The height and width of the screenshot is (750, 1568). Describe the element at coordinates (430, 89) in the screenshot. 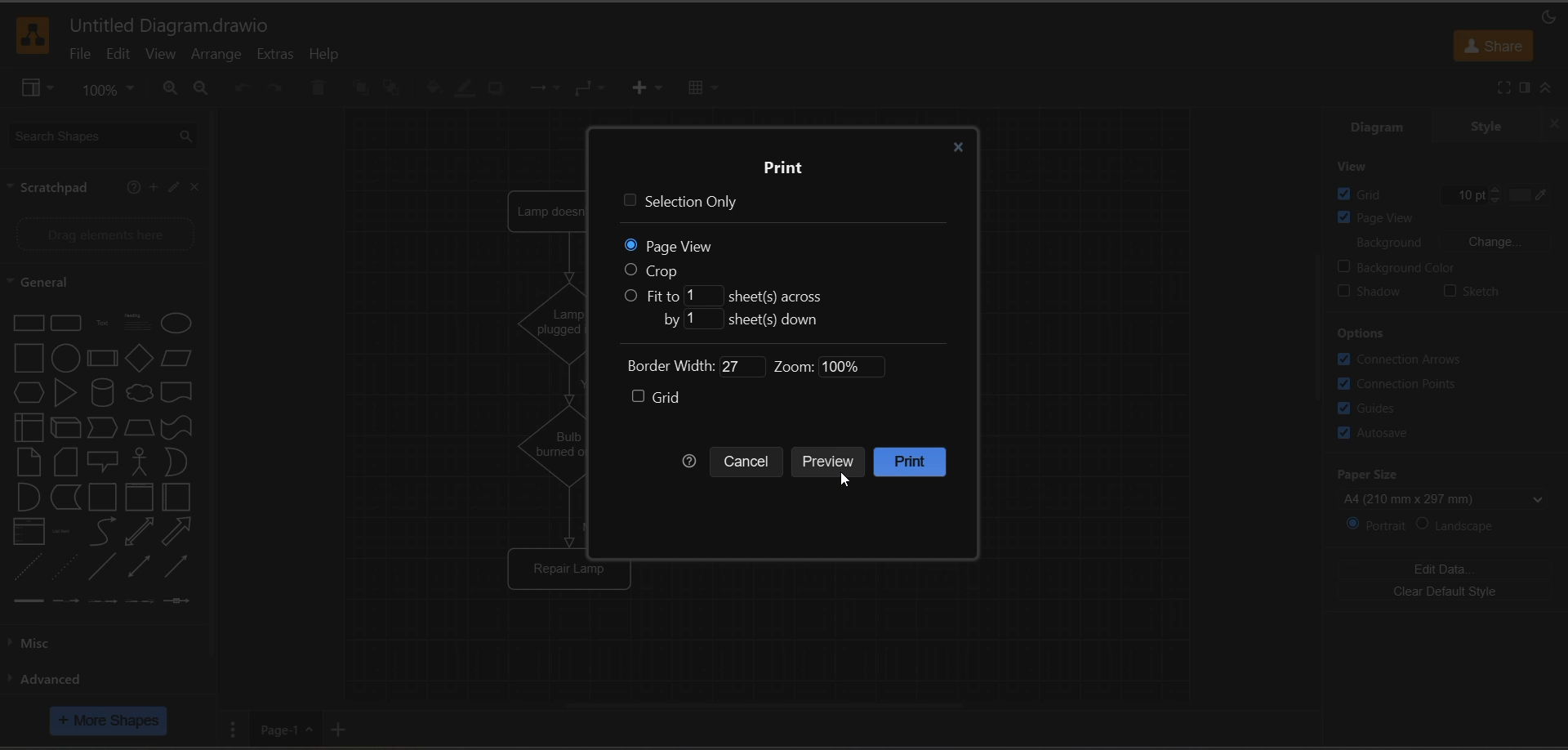

I see `fill color` at that location.